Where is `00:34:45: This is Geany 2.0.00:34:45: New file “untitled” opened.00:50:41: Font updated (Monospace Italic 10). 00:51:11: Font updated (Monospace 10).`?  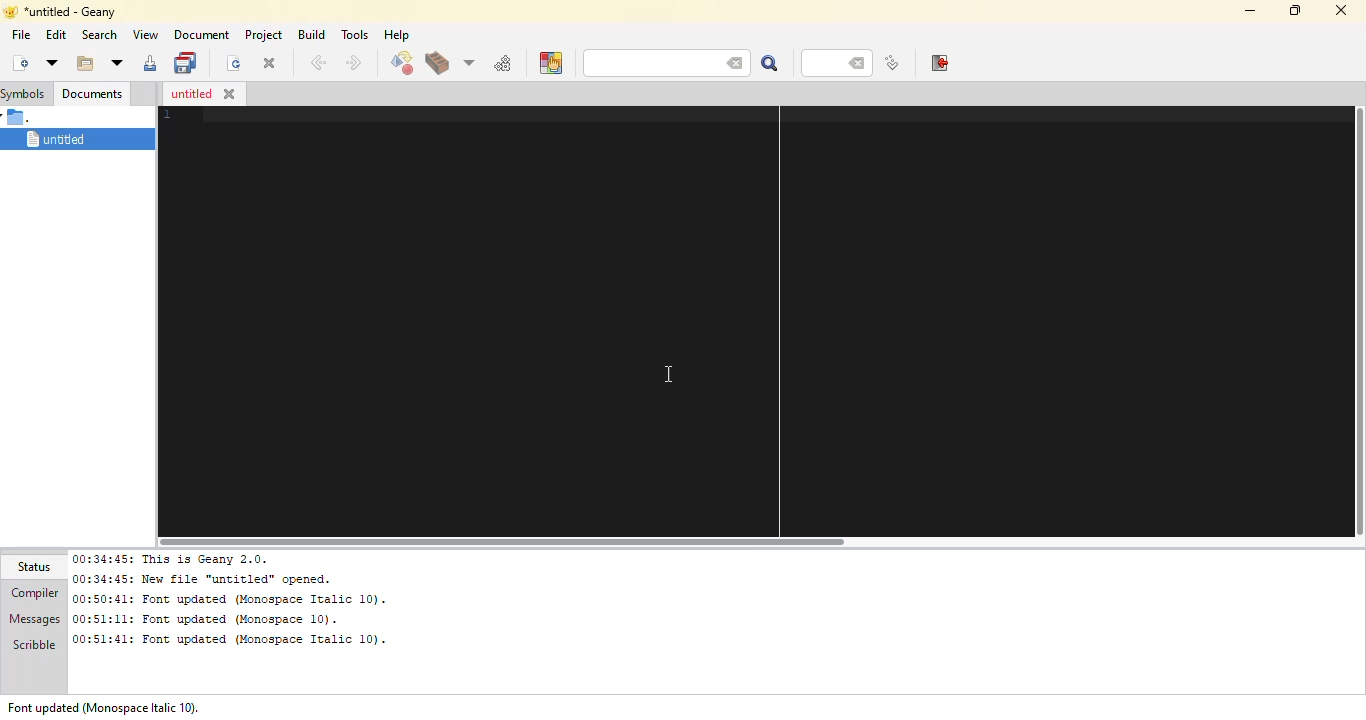 00:34:45: This is Geany 2.0.00:34:45: New file “untitled” opened.00:50:41: Font updated (Monospace Italic 10). 00:51:11: Font updated (Monospace 10). is located at coordinates (238, 600).